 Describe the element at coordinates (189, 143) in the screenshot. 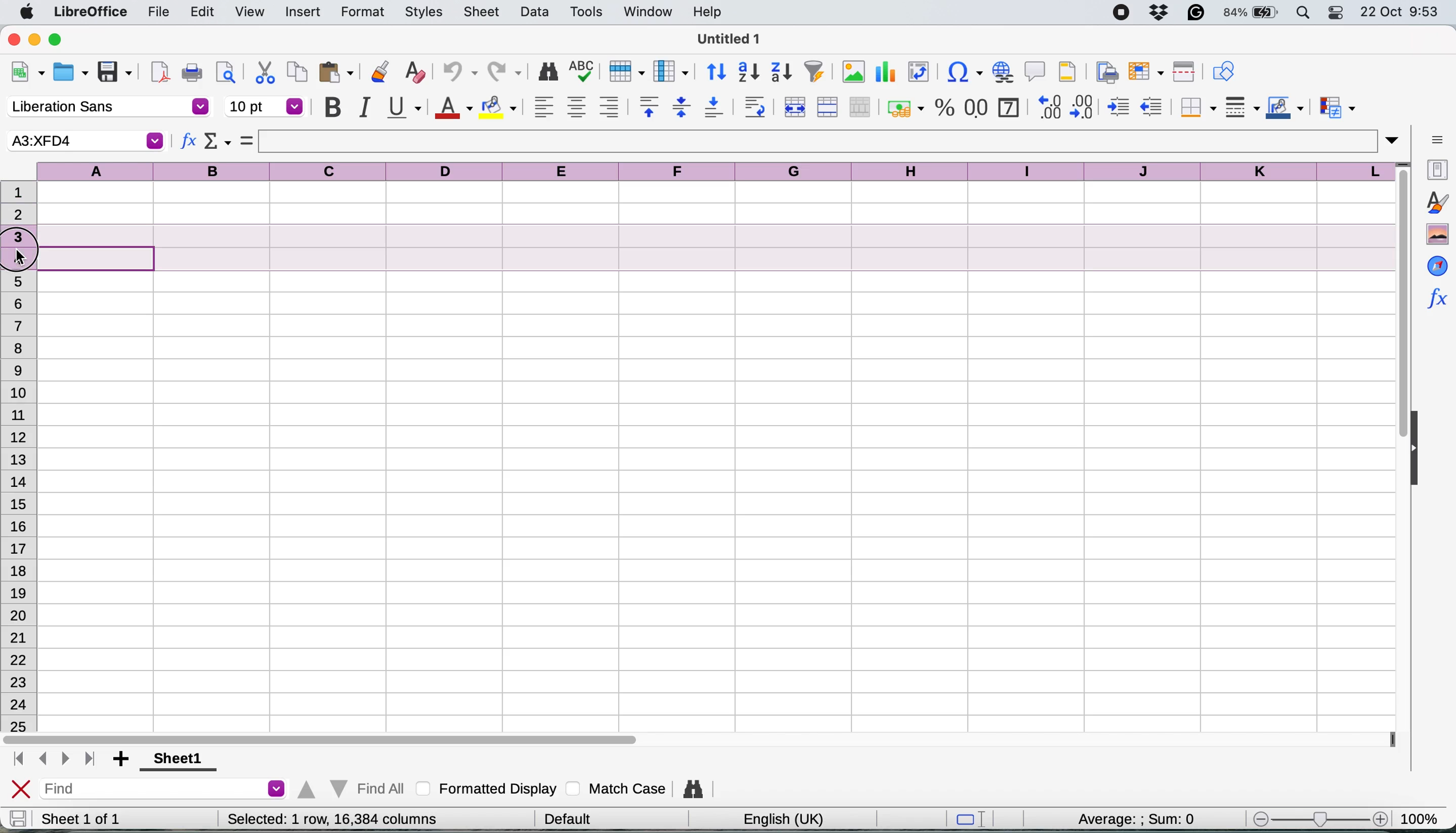

I see `function wizard` at that location.